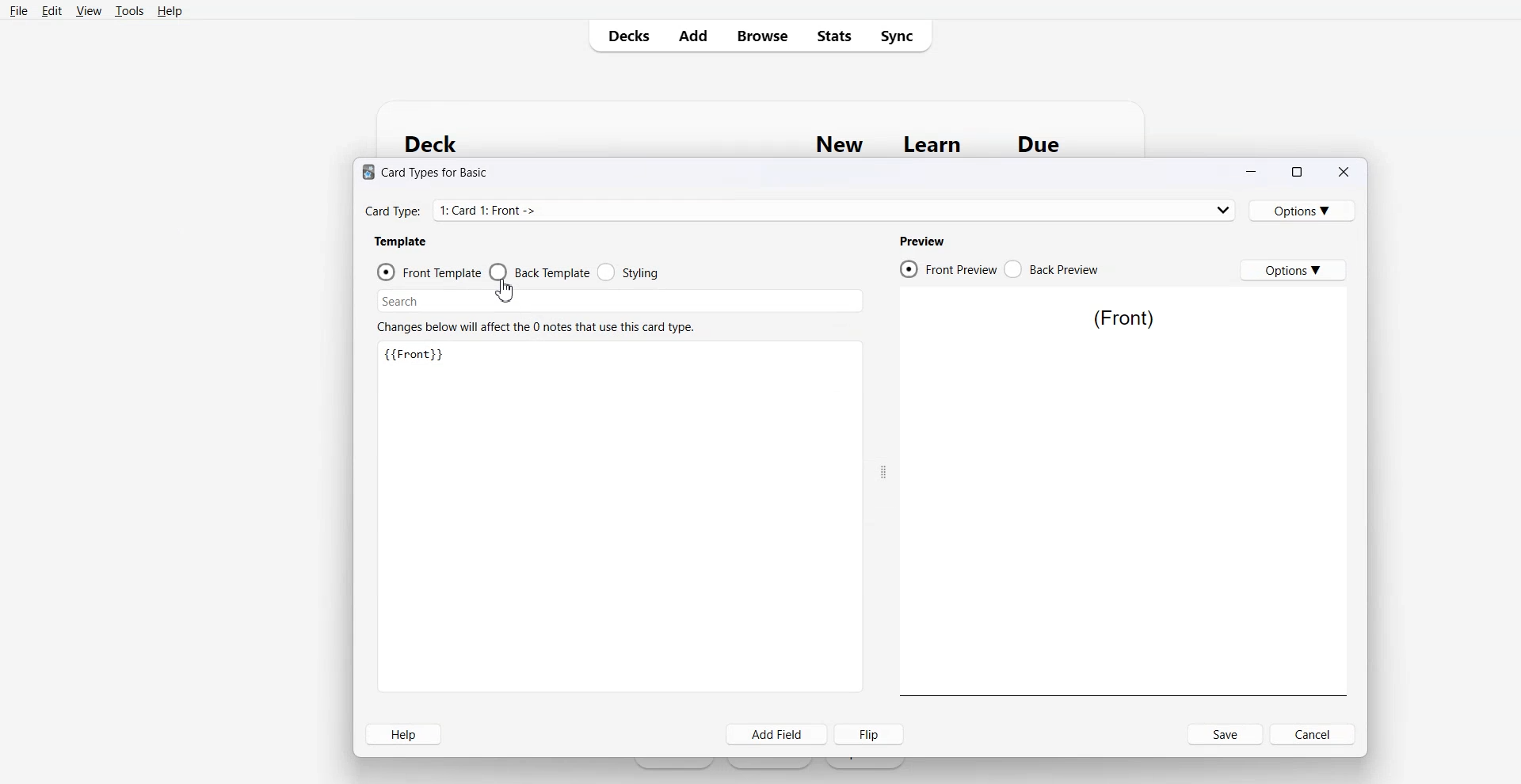 Image resolution: width=1521 pixels, height=784 pixels. Describe the element at coordinates (89, 10) in the screenshot. I see `View` at that location.